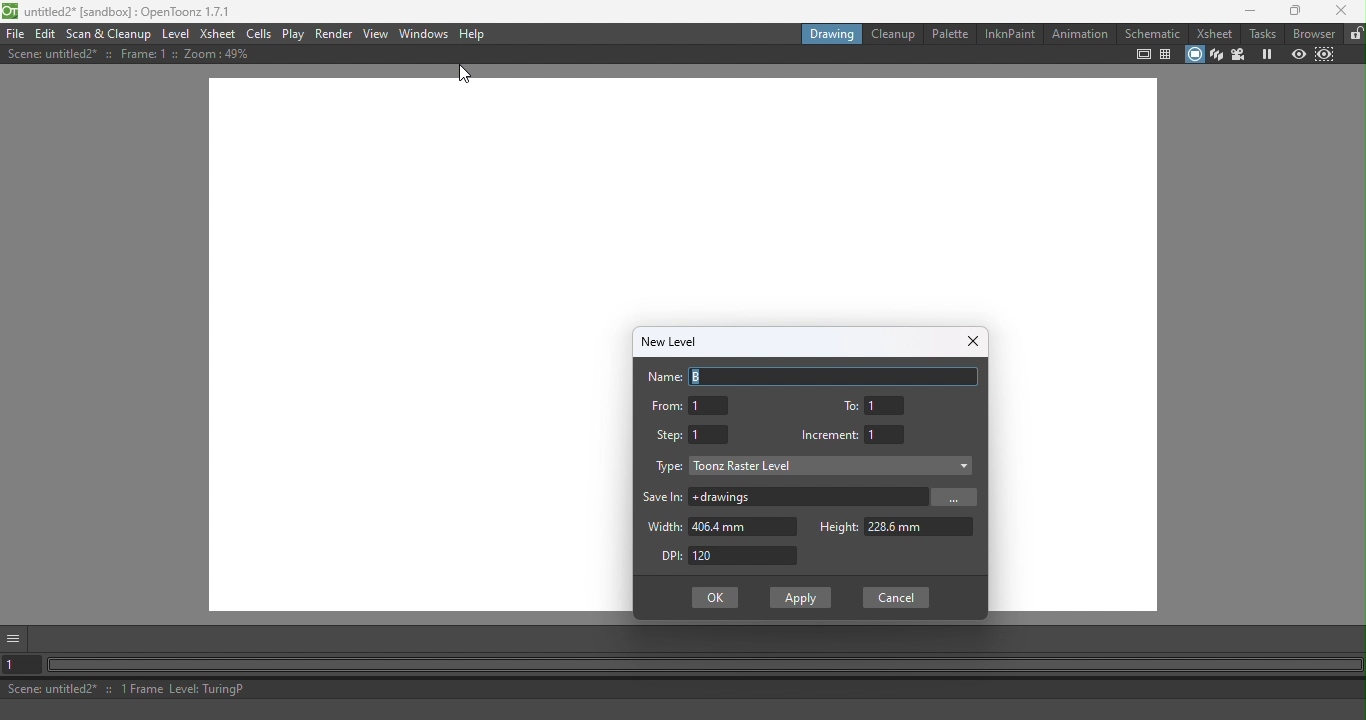 The image size is (1366, 720). Describe the element at coordinates (1142, 54) in the screenshot. I see `Safe area` at that location.